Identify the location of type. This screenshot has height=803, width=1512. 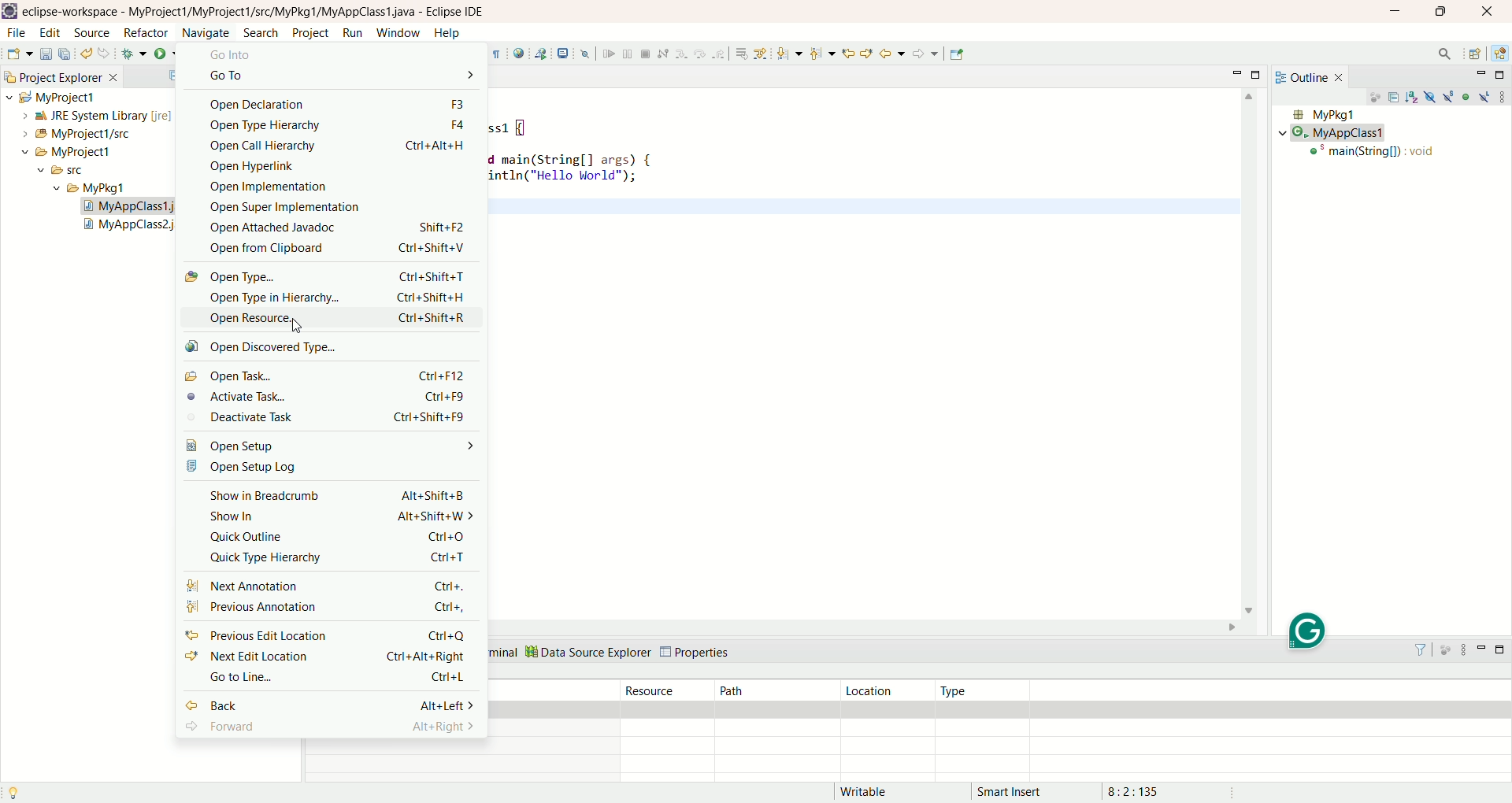
(986, 690).